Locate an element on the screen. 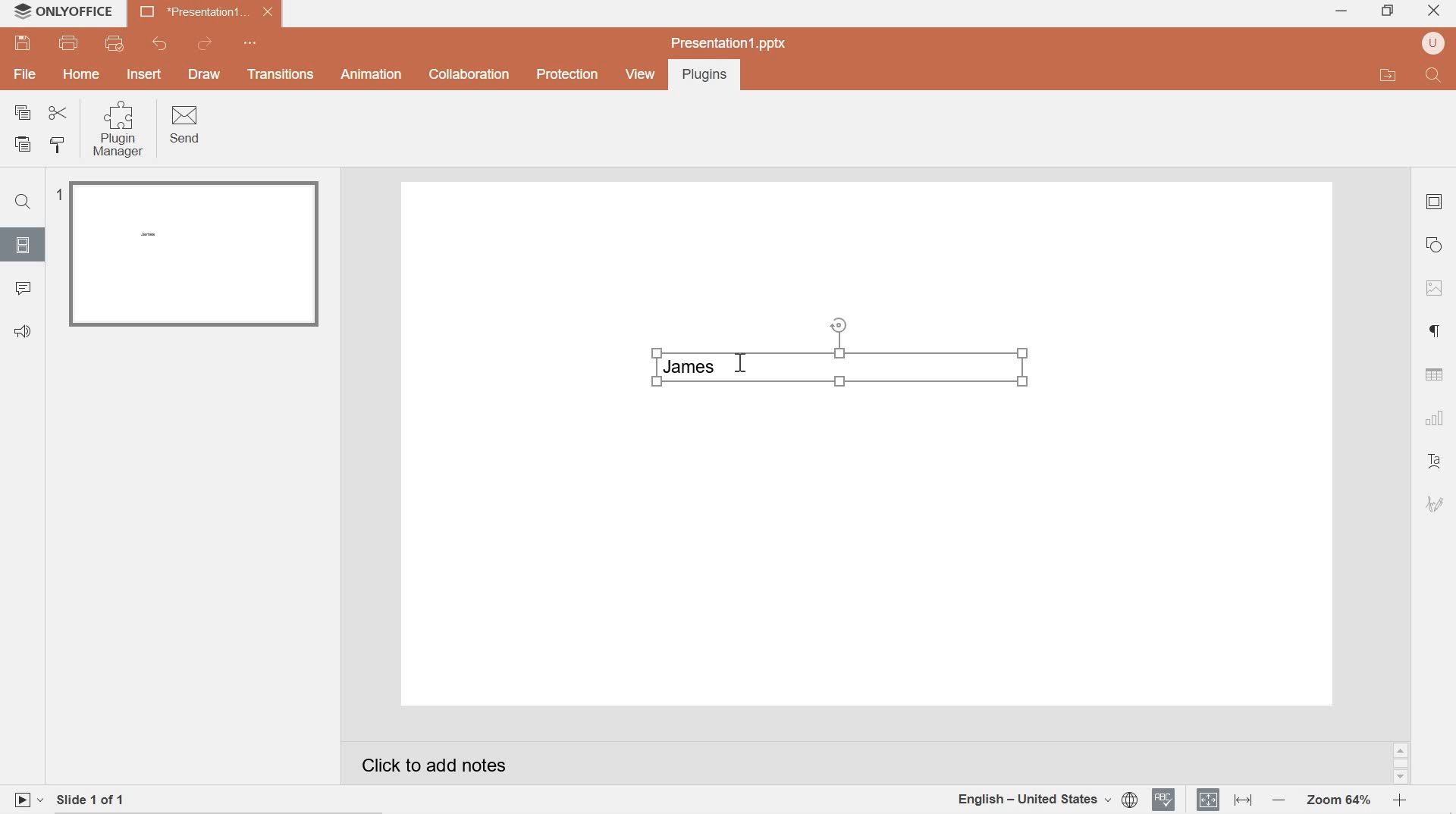 Image resolution: width=1456 pixels, height=814 pixels. Protection is located at coordinates (566, 75).